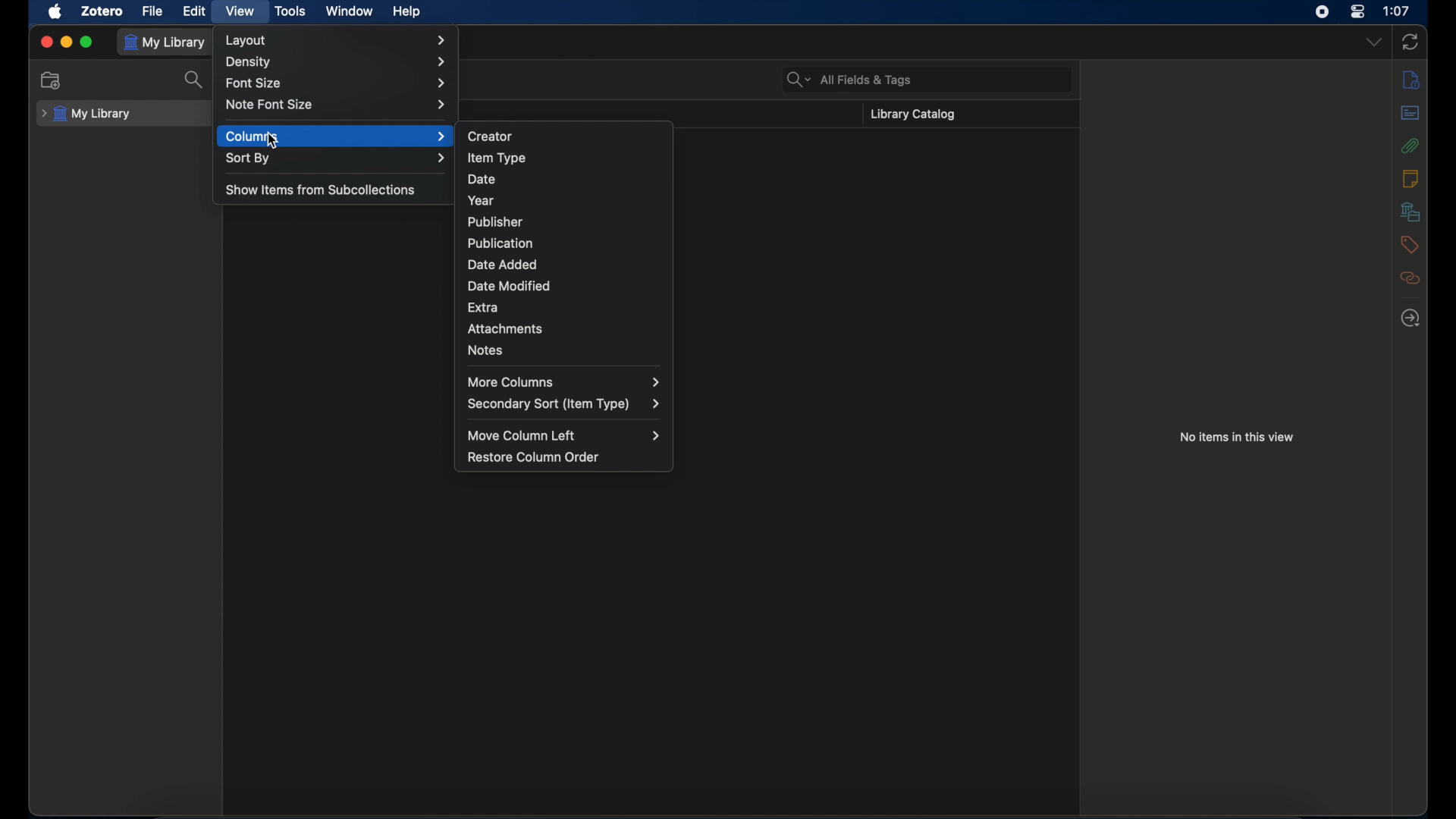  I want to click on font size, so click(336, 84).